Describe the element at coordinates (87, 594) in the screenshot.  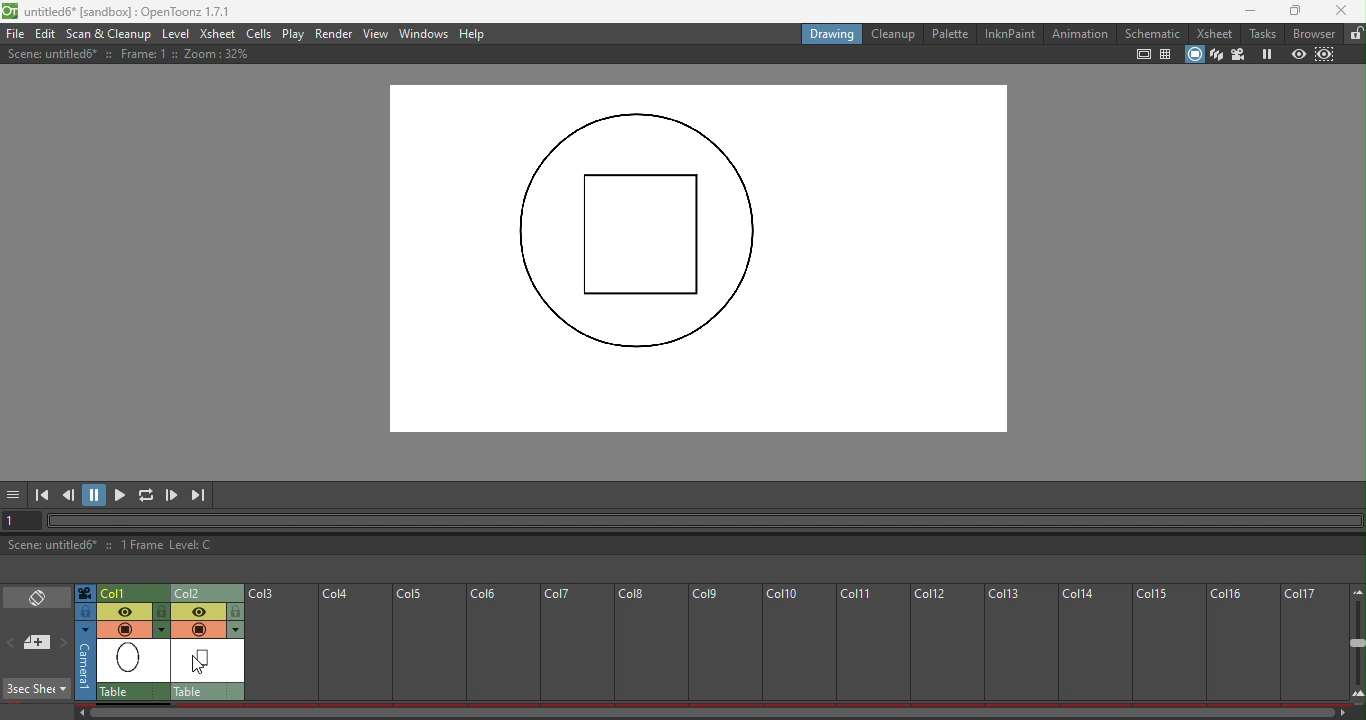
I see `Click to select camera` at that location.